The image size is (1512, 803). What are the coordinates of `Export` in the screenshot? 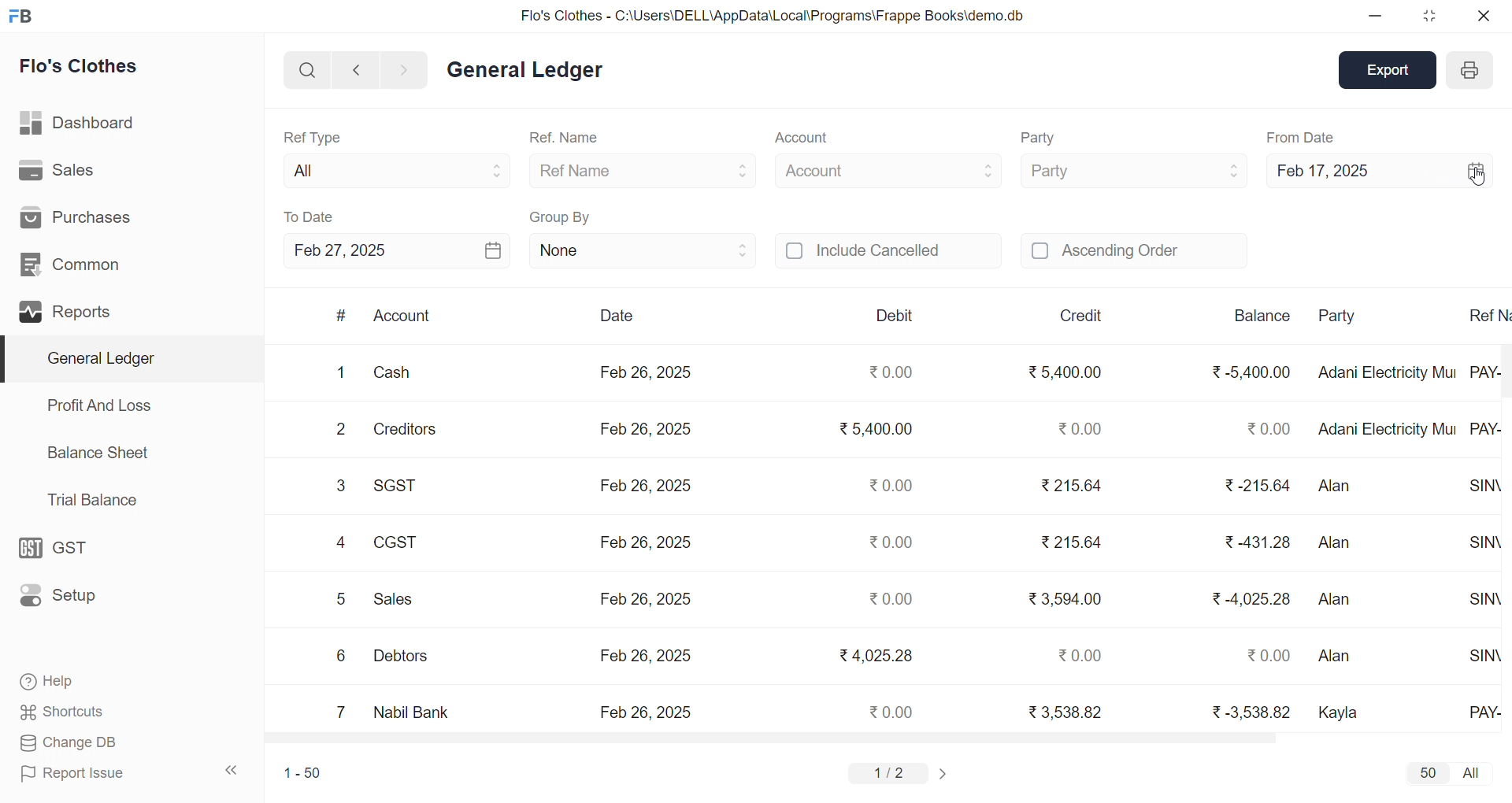 It's located at (1391, 68).